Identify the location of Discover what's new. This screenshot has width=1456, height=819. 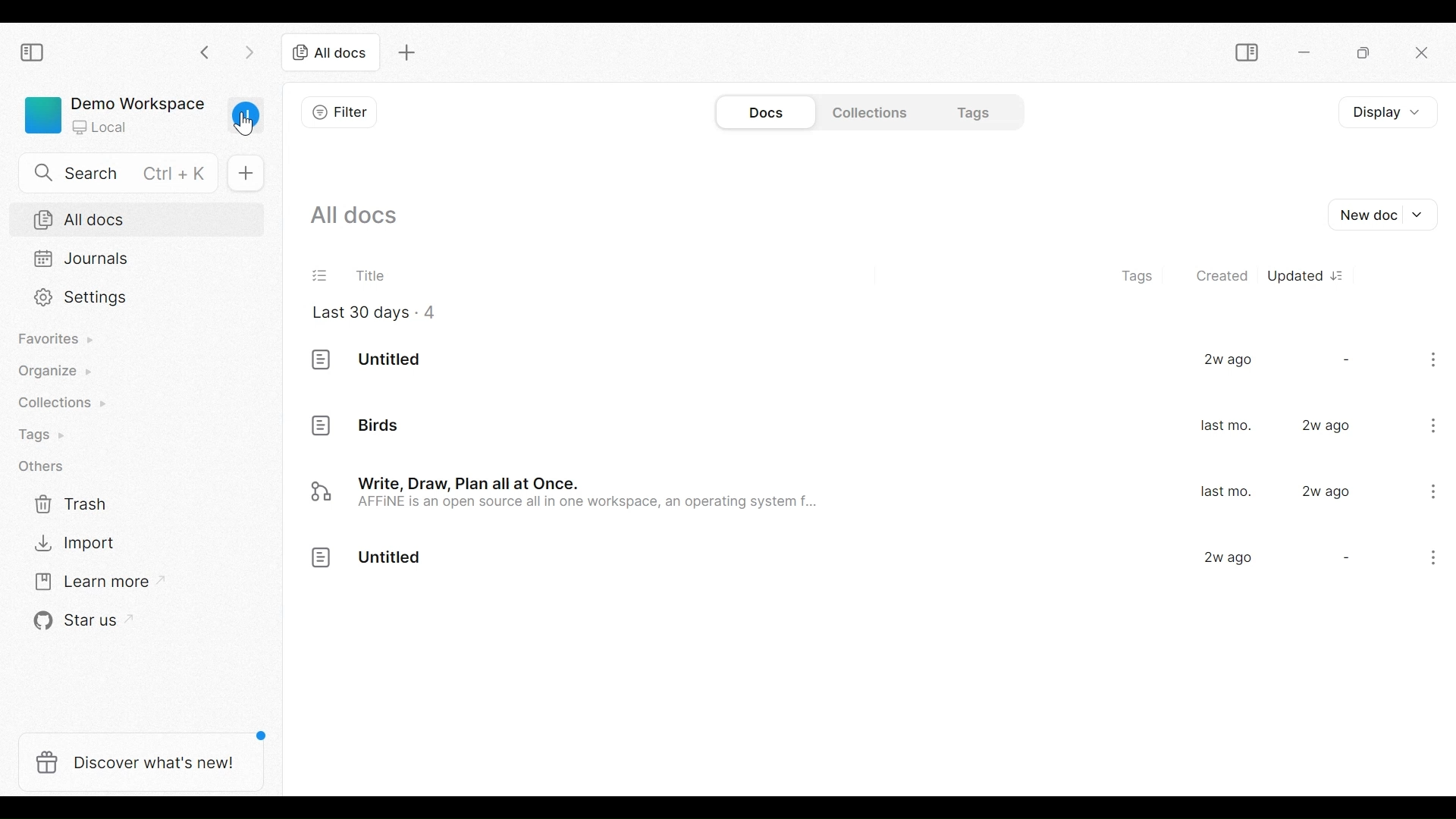
(140, 764).